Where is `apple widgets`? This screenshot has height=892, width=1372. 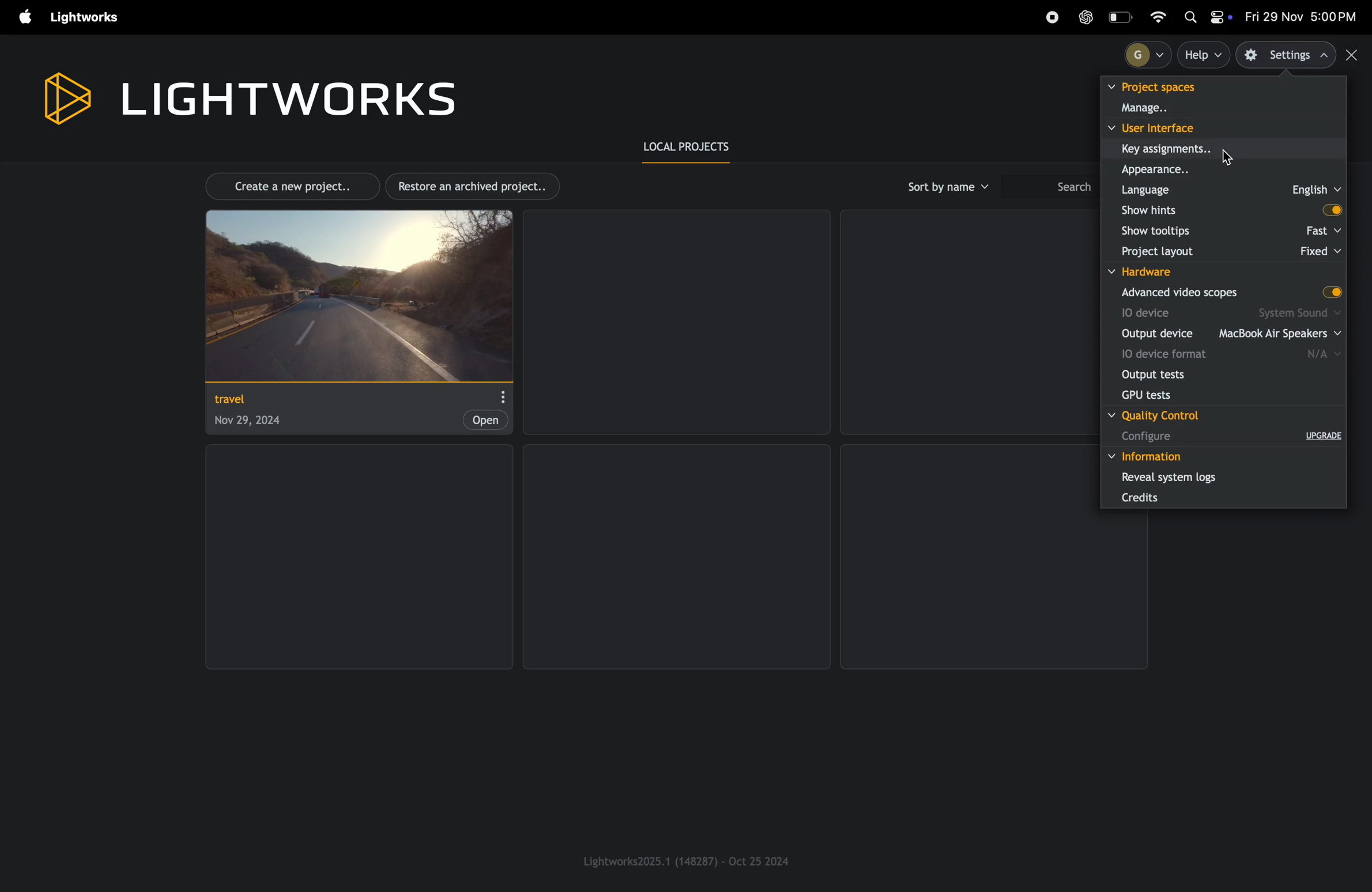 apple widgets is located at coordinates (1207, 18).